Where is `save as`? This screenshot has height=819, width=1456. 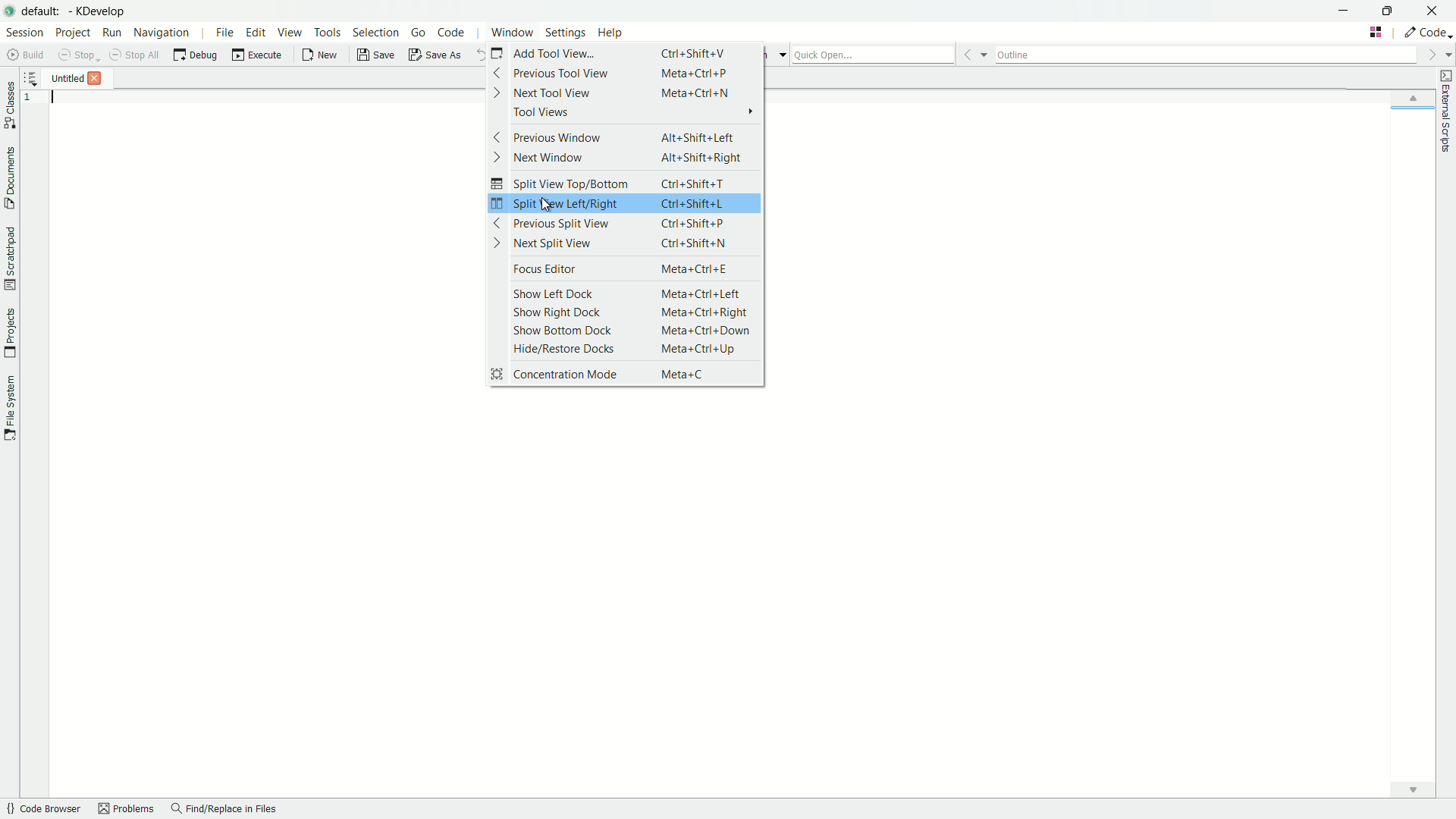
save as is located at coordinates (435, 54).